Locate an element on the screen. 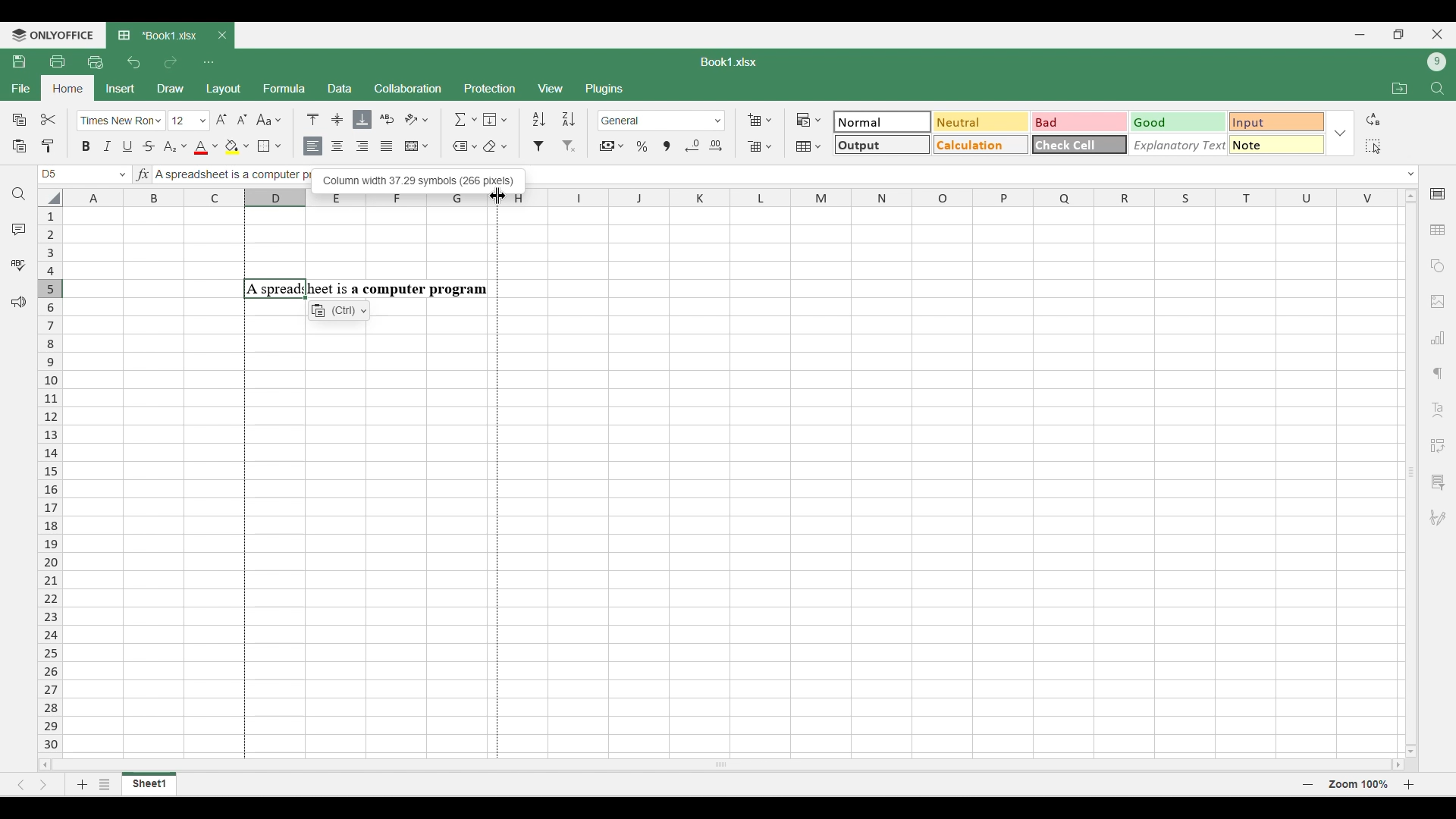  Customize quick access toolbar is located at coordinates (209, 62).